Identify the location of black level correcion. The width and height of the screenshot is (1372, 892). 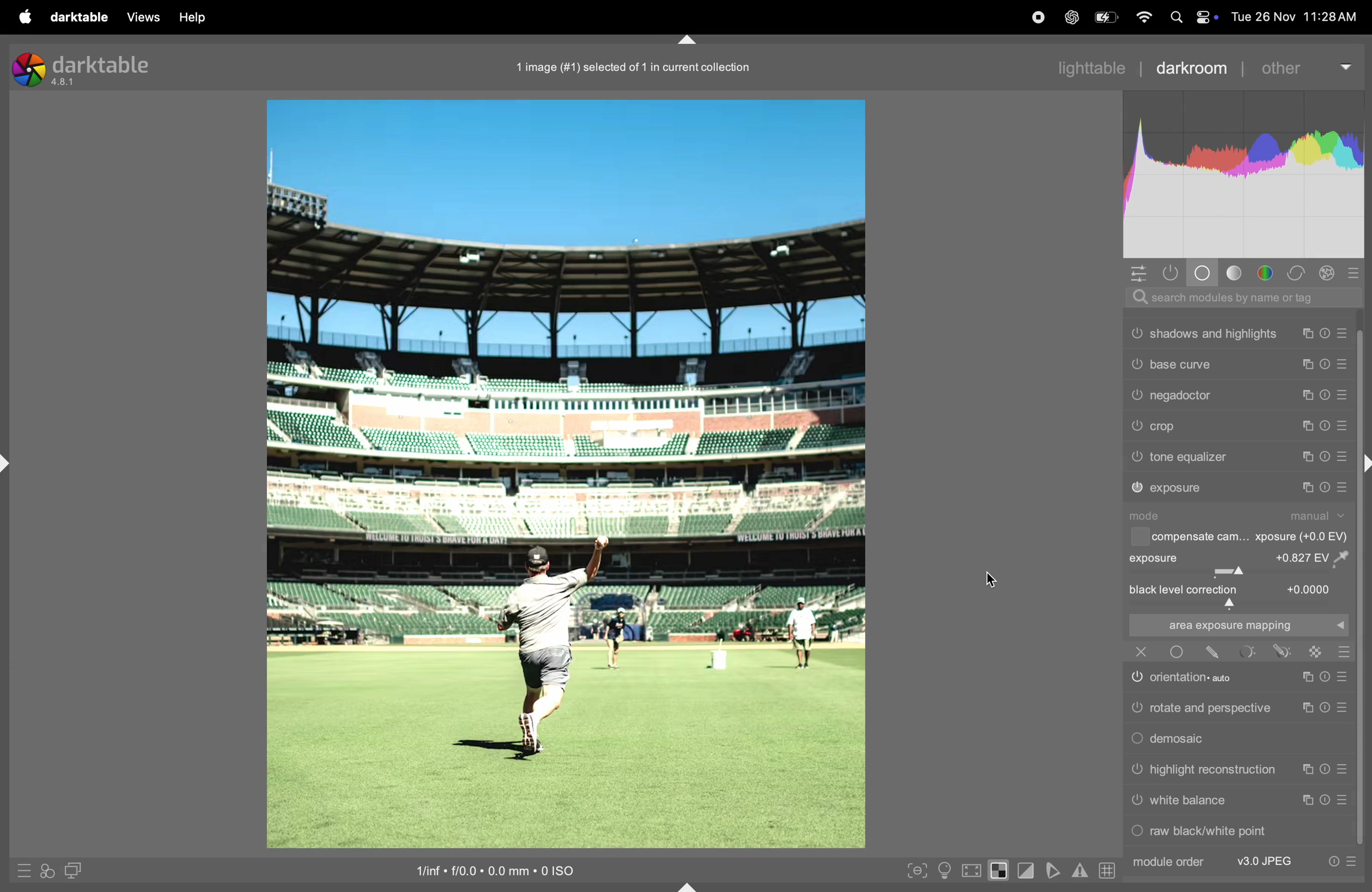
(1185, 590).